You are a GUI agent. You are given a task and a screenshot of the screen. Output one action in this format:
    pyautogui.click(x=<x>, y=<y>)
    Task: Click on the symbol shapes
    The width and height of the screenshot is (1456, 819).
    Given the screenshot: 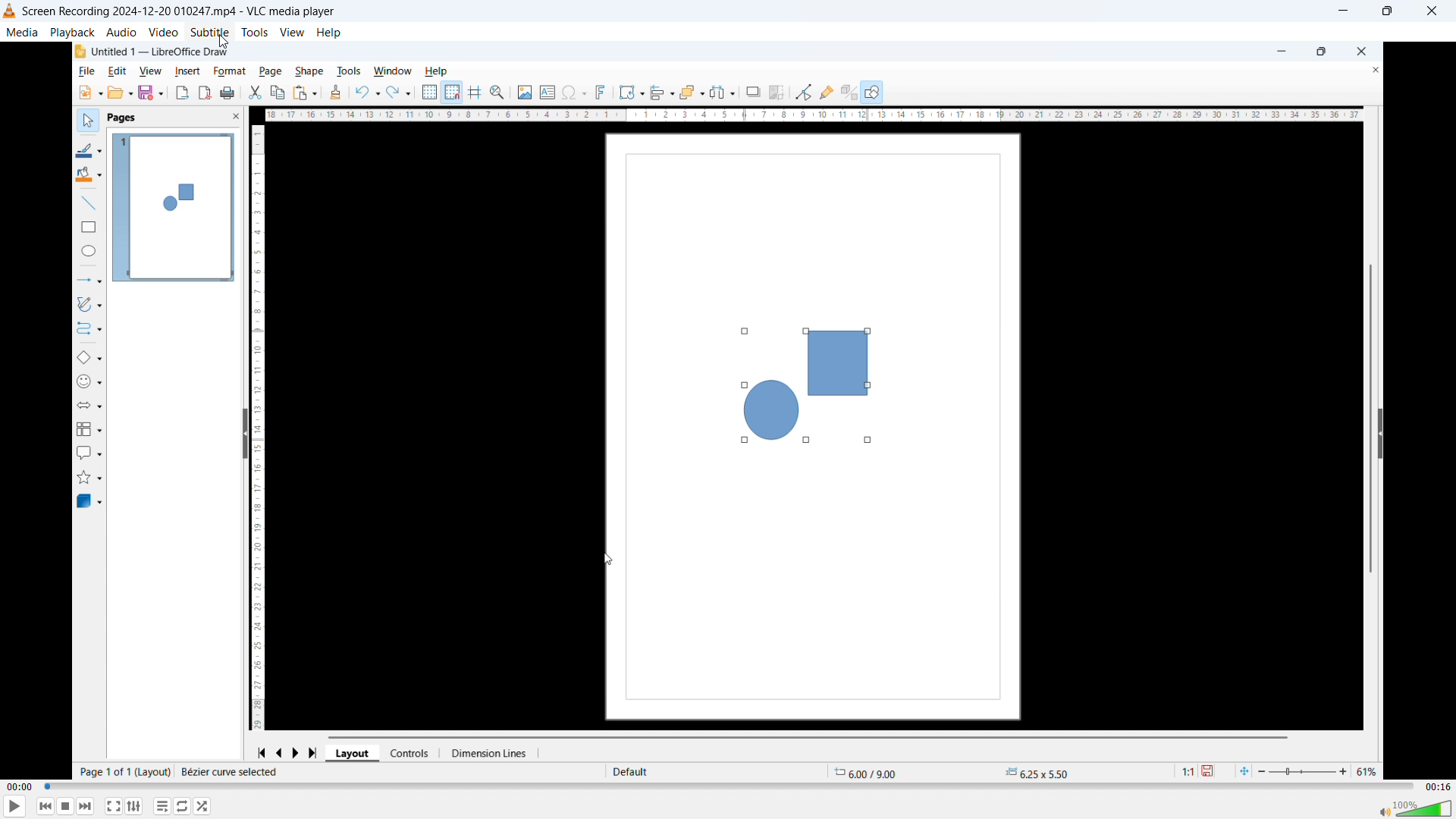 What is the action you would take?
    pyautogui.click(x=92, y=383)
    